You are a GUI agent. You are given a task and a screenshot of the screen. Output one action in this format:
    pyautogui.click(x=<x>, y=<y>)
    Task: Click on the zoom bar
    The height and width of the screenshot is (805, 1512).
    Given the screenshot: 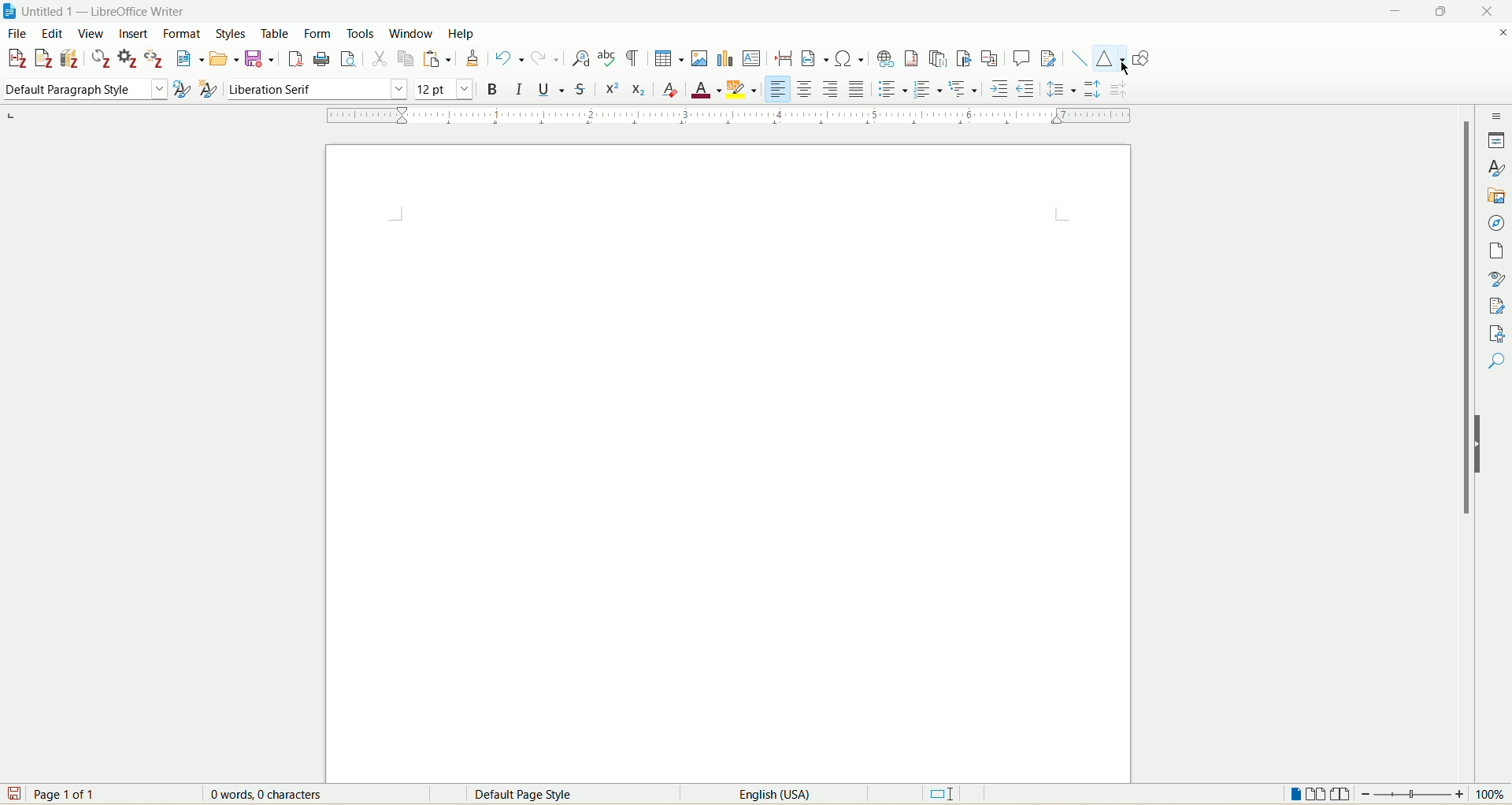 What is the action you would take?
    pyautogui.click(x=1413, y=793)
    